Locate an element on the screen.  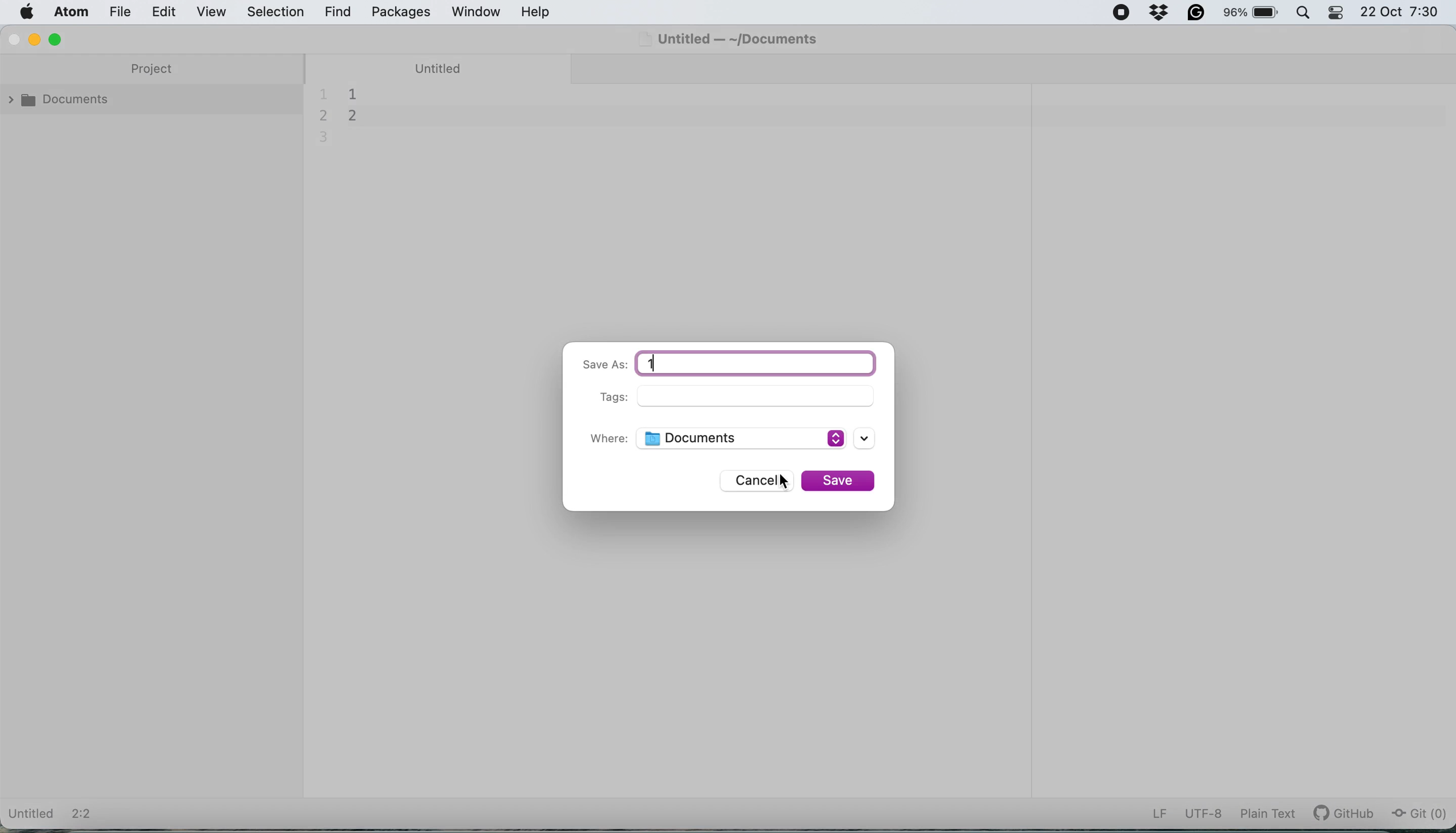
git hub is located at coordinates (1345, 814).